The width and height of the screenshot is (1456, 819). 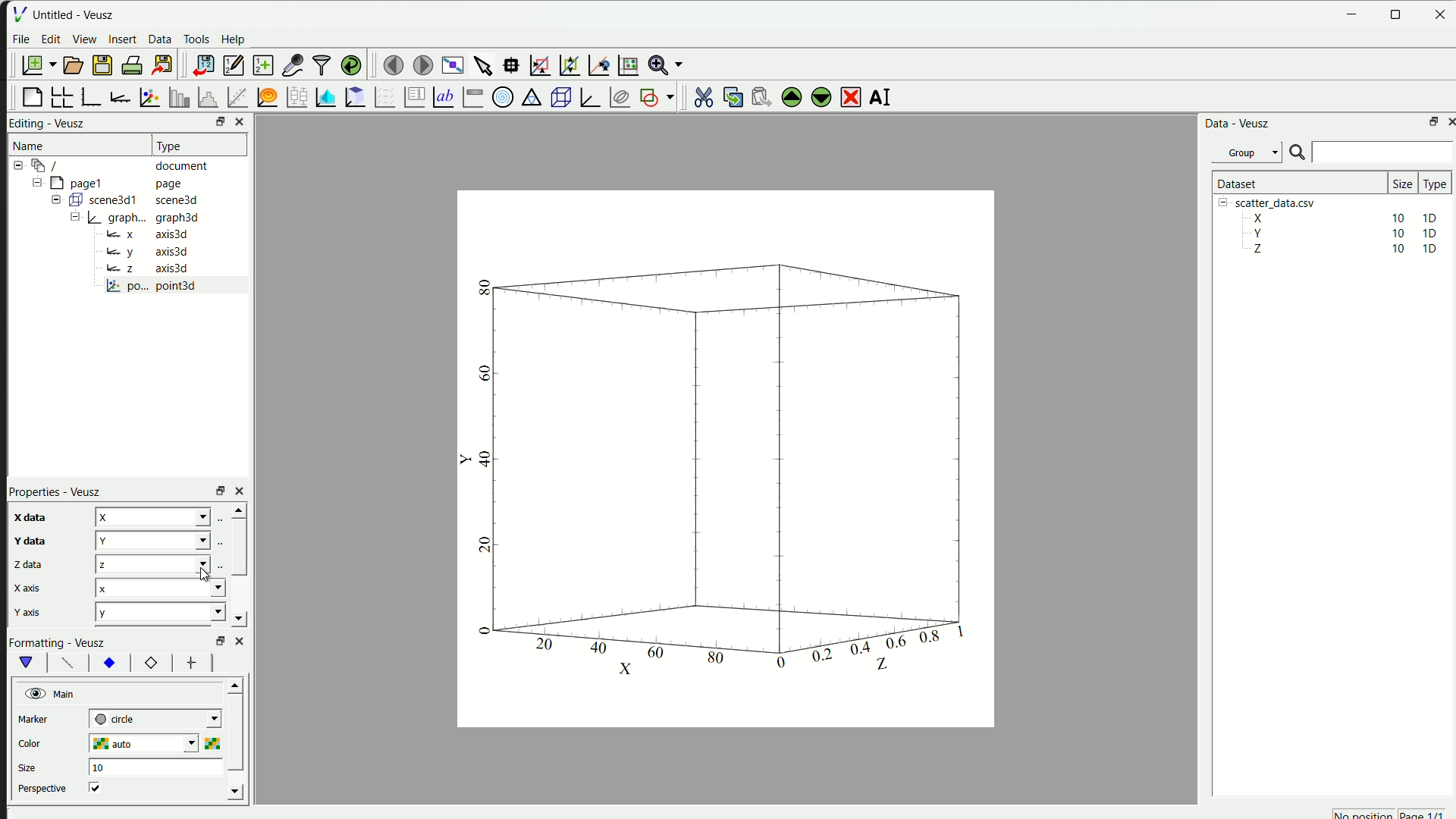 I want to click on editor, so click(x=231, y=65).